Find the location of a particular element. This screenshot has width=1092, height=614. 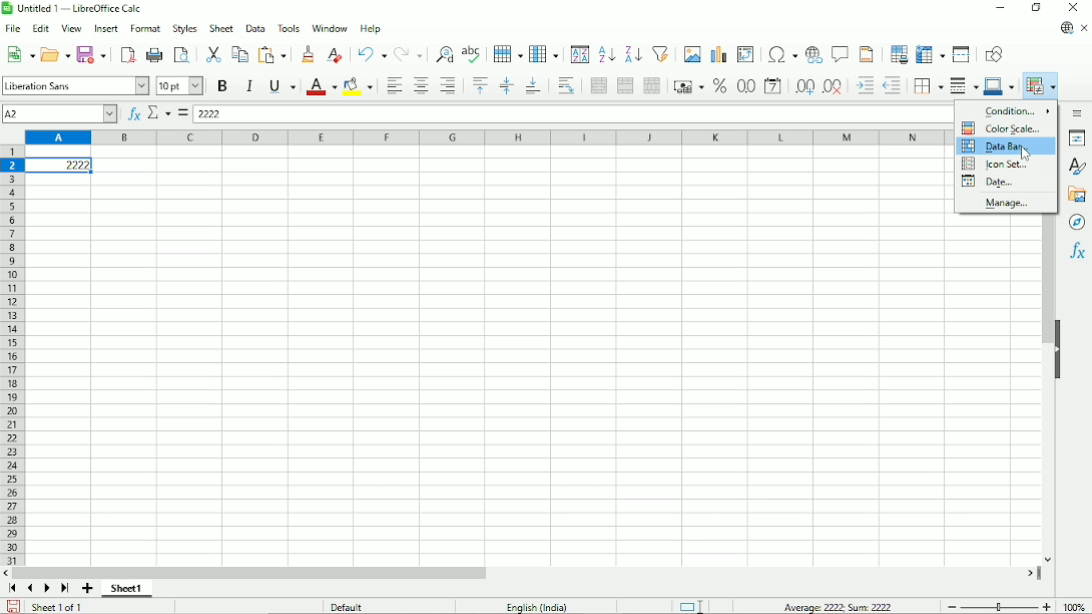

Vertical scrollbar is located at coordinates (1048, 281).